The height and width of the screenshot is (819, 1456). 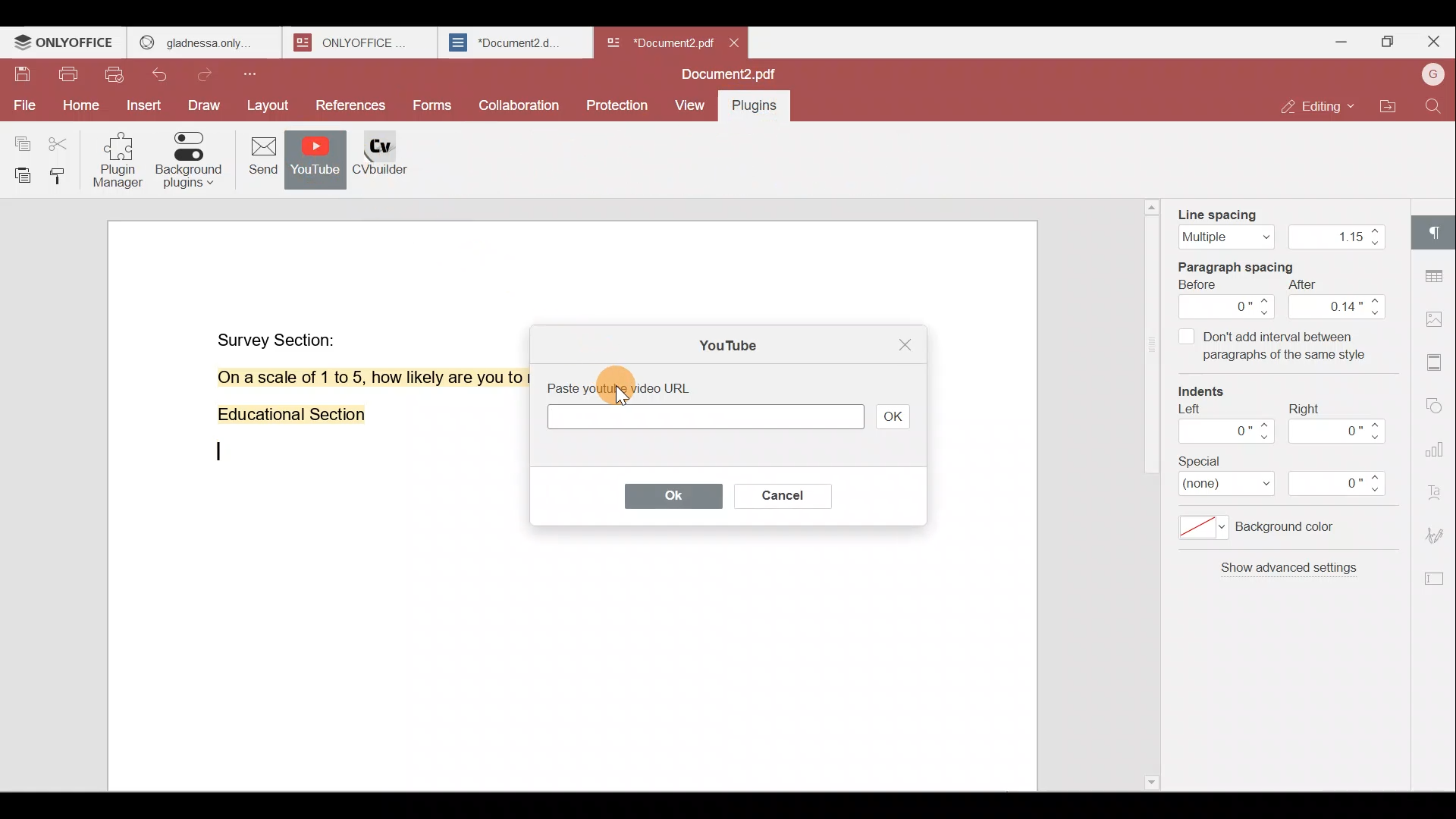 What do you see at coordinates (665, 495) in the screenshot?
I see `OK` at bounding box center [665, 495].